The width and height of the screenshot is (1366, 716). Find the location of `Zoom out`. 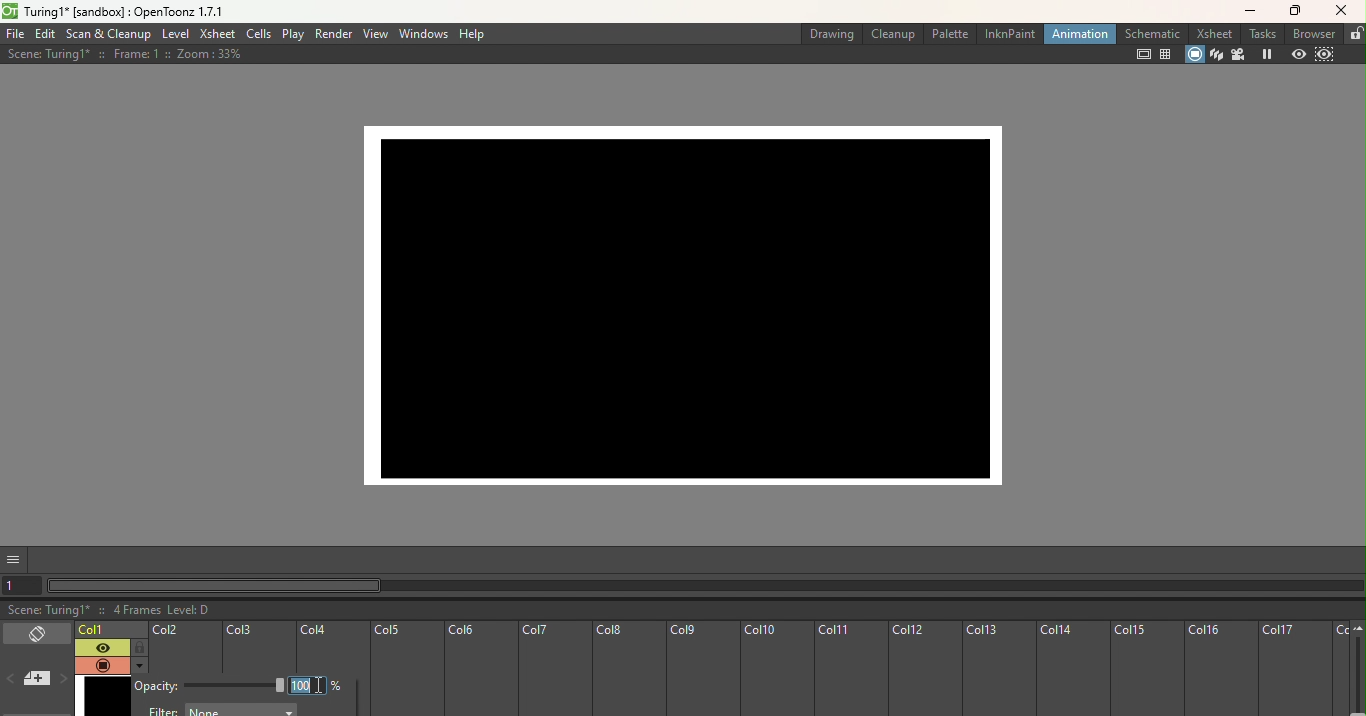

Zoom out is located at coordinates (1359, 630).